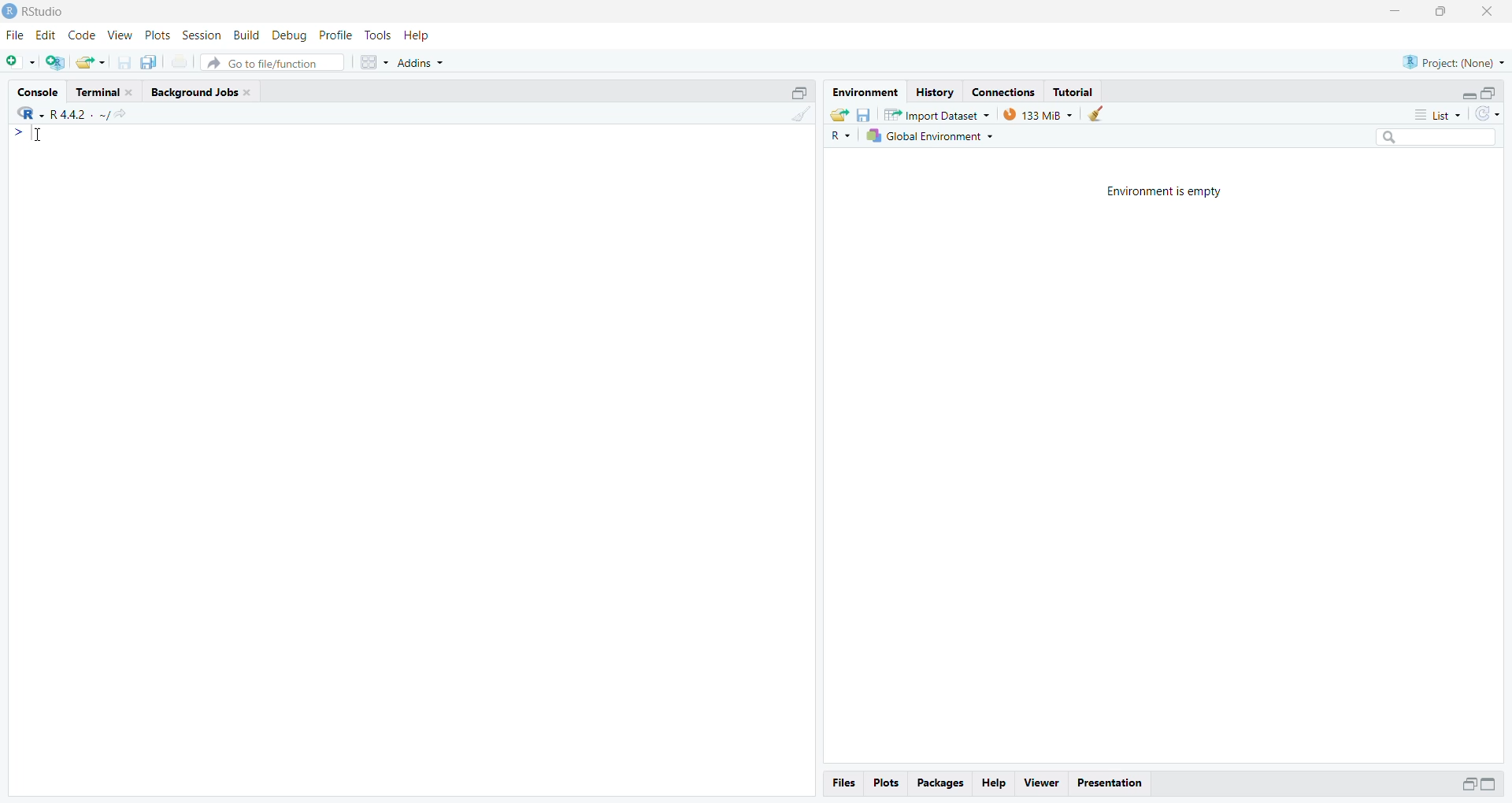 This screenshot has width=1512, height=803. I want to click on Addins, so click(424, 64).